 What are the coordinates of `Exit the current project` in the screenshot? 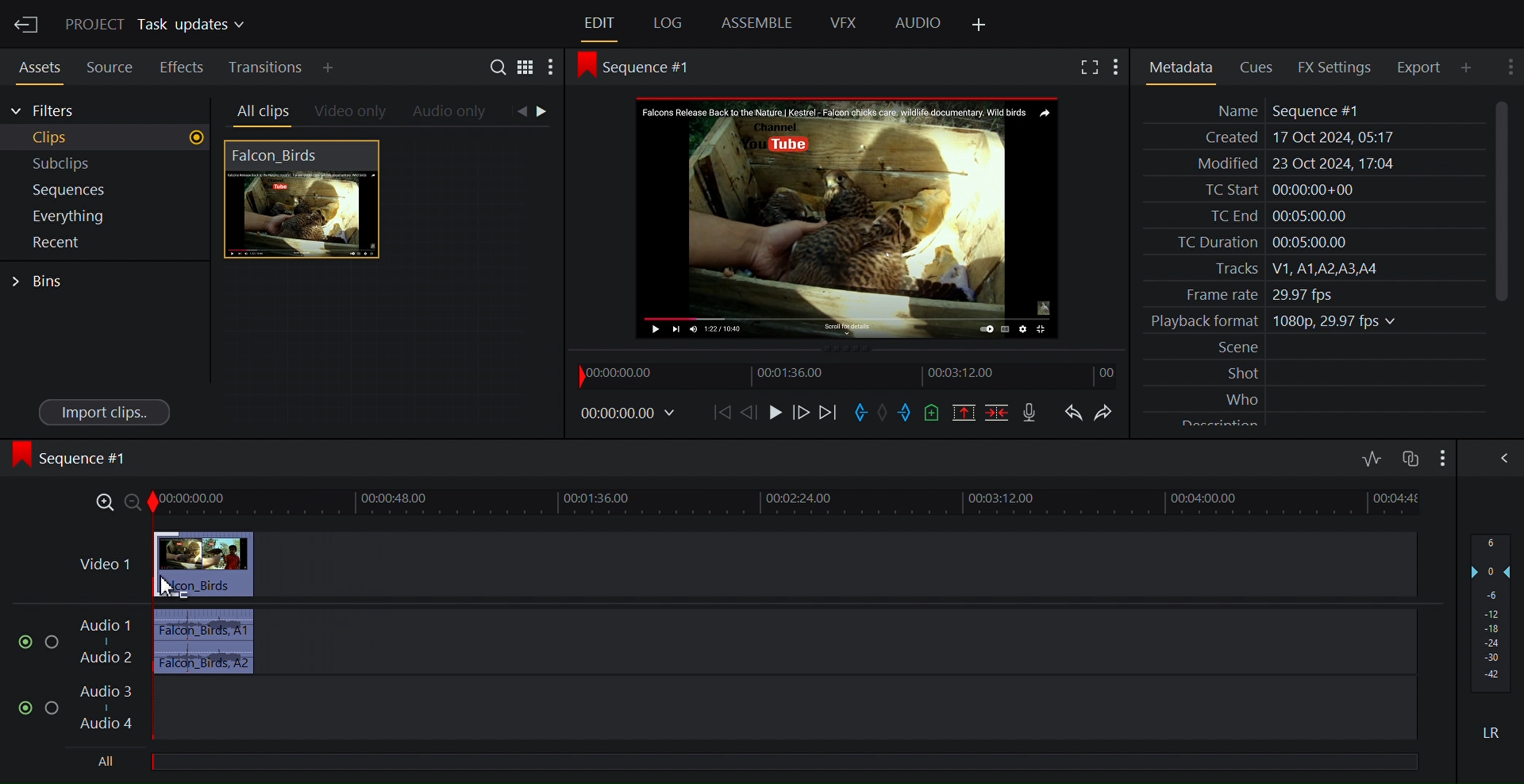 It's located at (25, 24).